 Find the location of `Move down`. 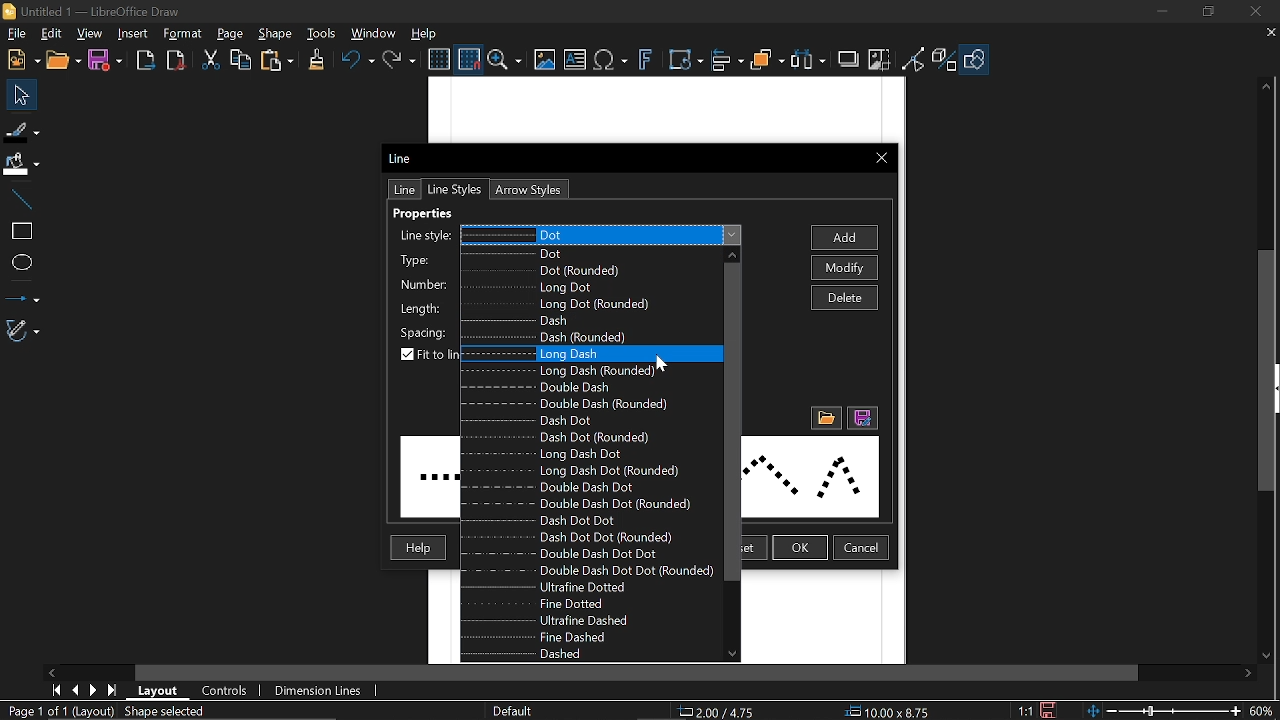

Move down is located at coordinates (1270, 658).